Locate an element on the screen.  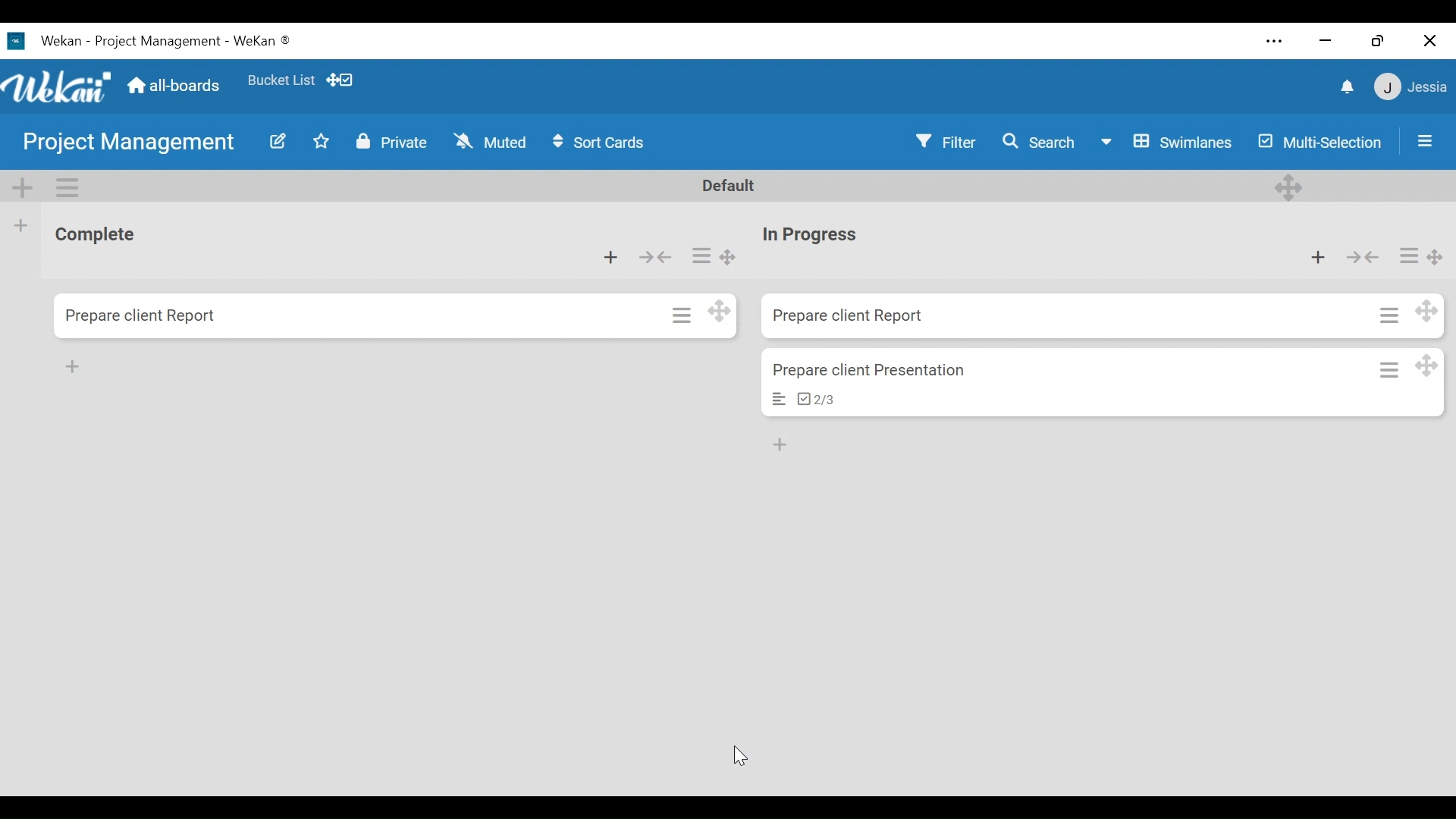
Private is located at coordinates (394, 143).